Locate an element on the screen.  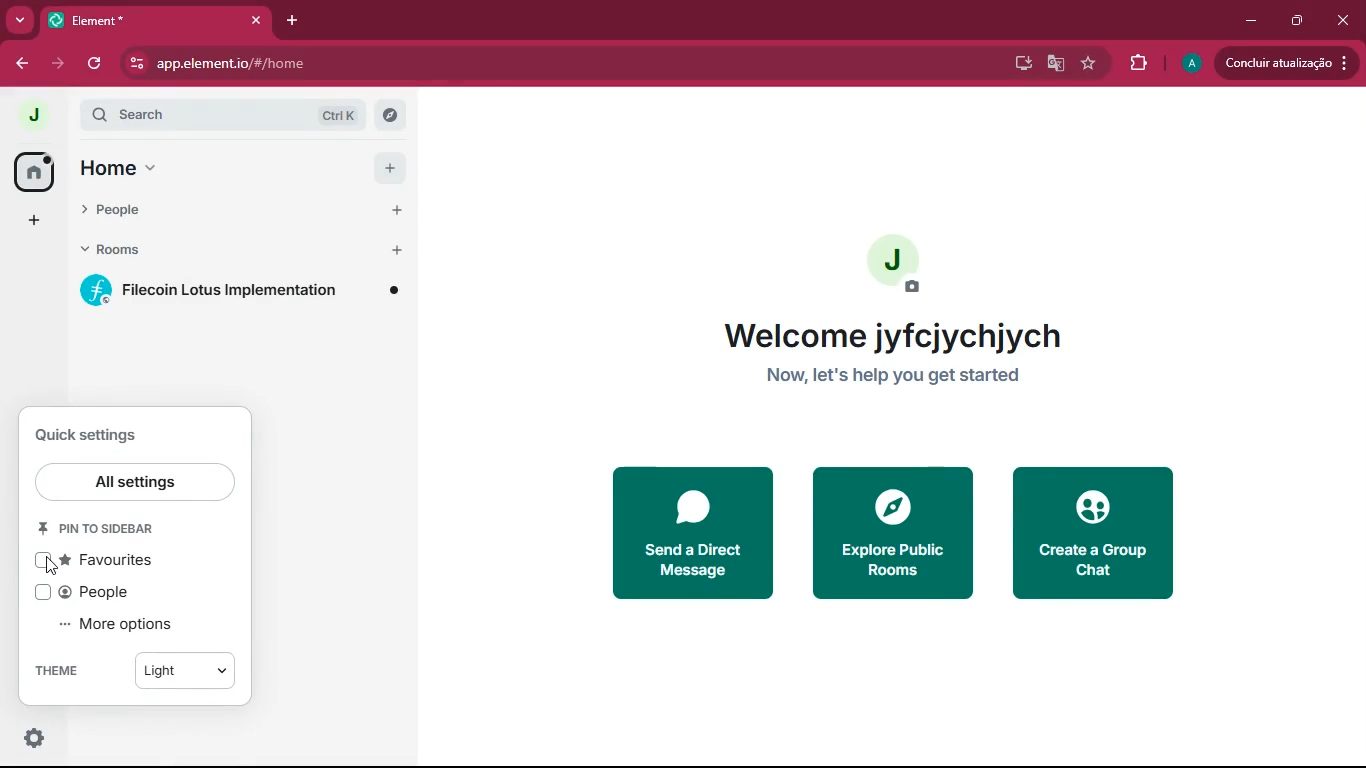
forward is located at coordinates (58, 65).